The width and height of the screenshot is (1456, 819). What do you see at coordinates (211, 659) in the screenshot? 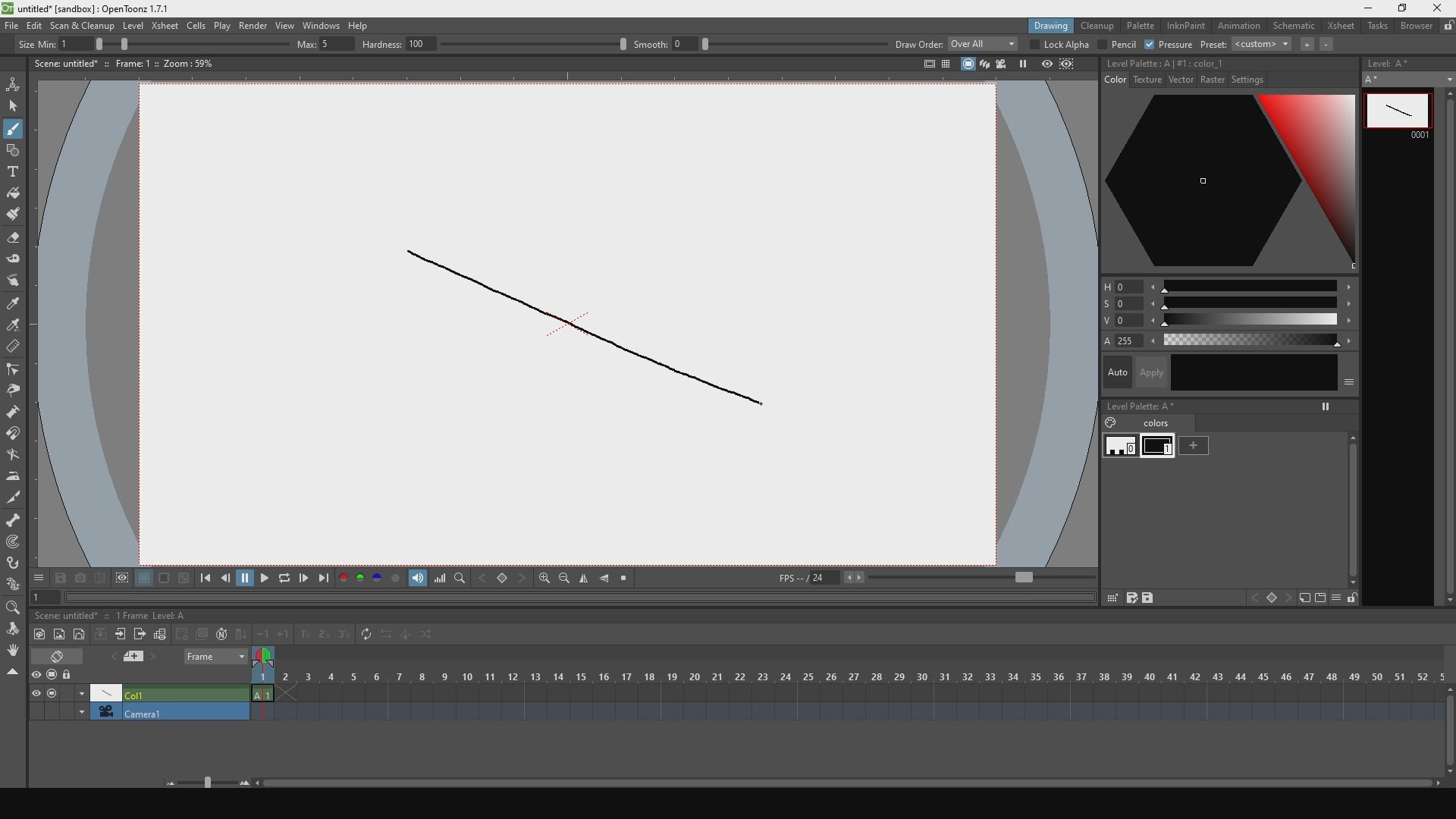
I see `frame` at bounding box center [211, 659].